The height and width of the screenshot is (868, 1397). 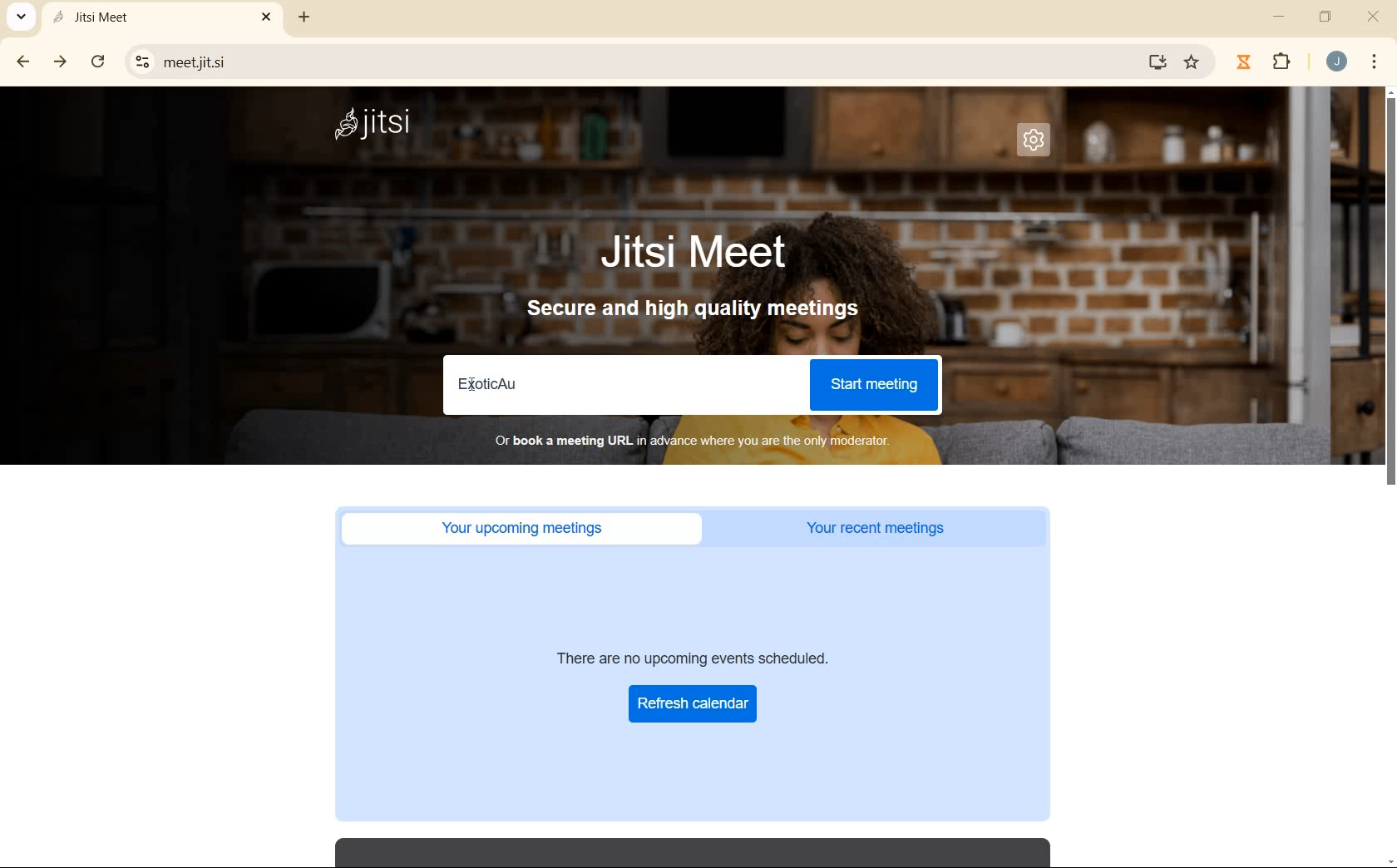 What do you see at coordinates (1158, 65) in the screenshot?
I see `install` at bounding box center [1158, 65].